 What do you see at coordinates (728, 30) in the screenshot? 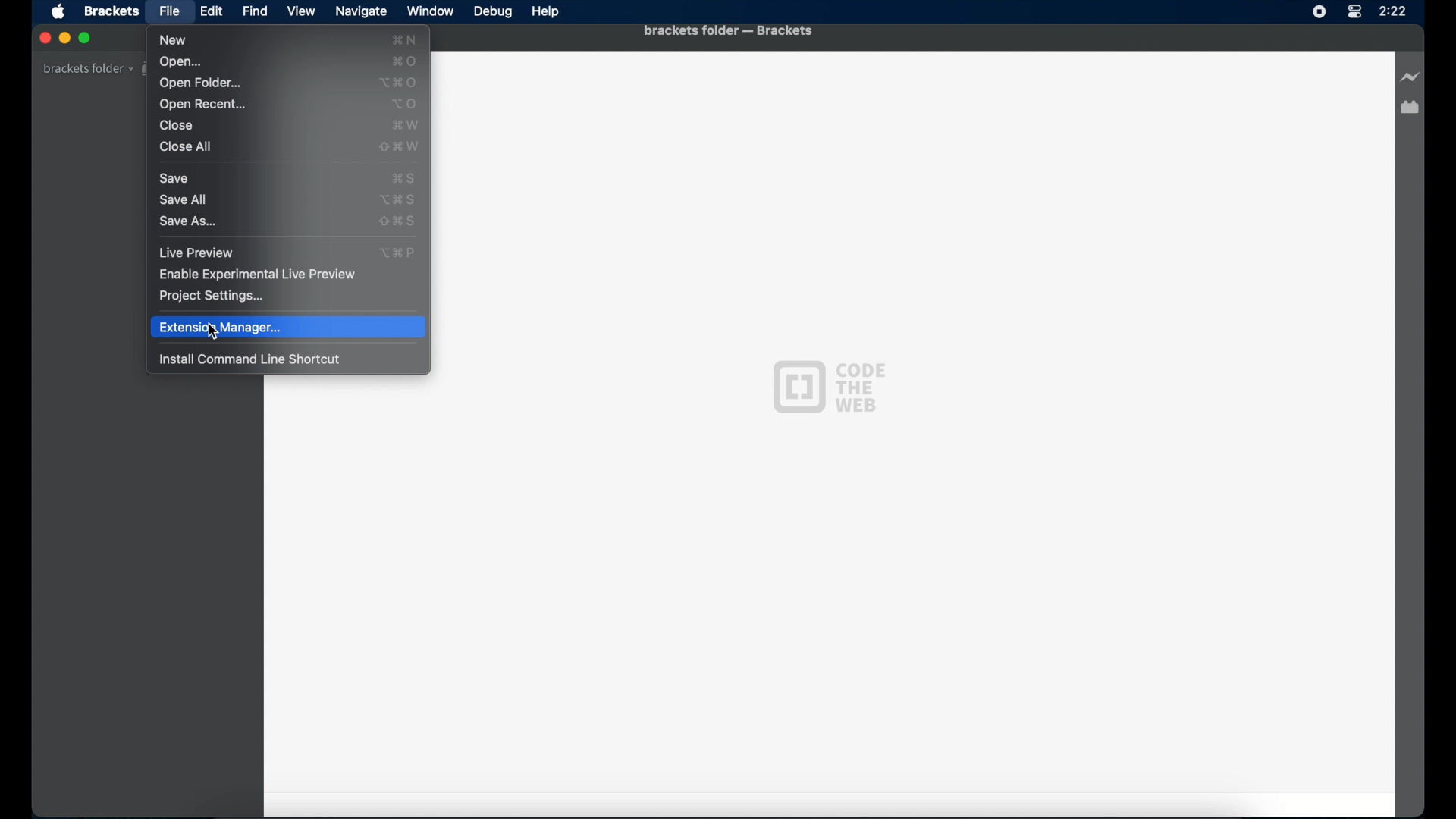
I see `brackets folder - brackets` at bounding box center [728, 30].